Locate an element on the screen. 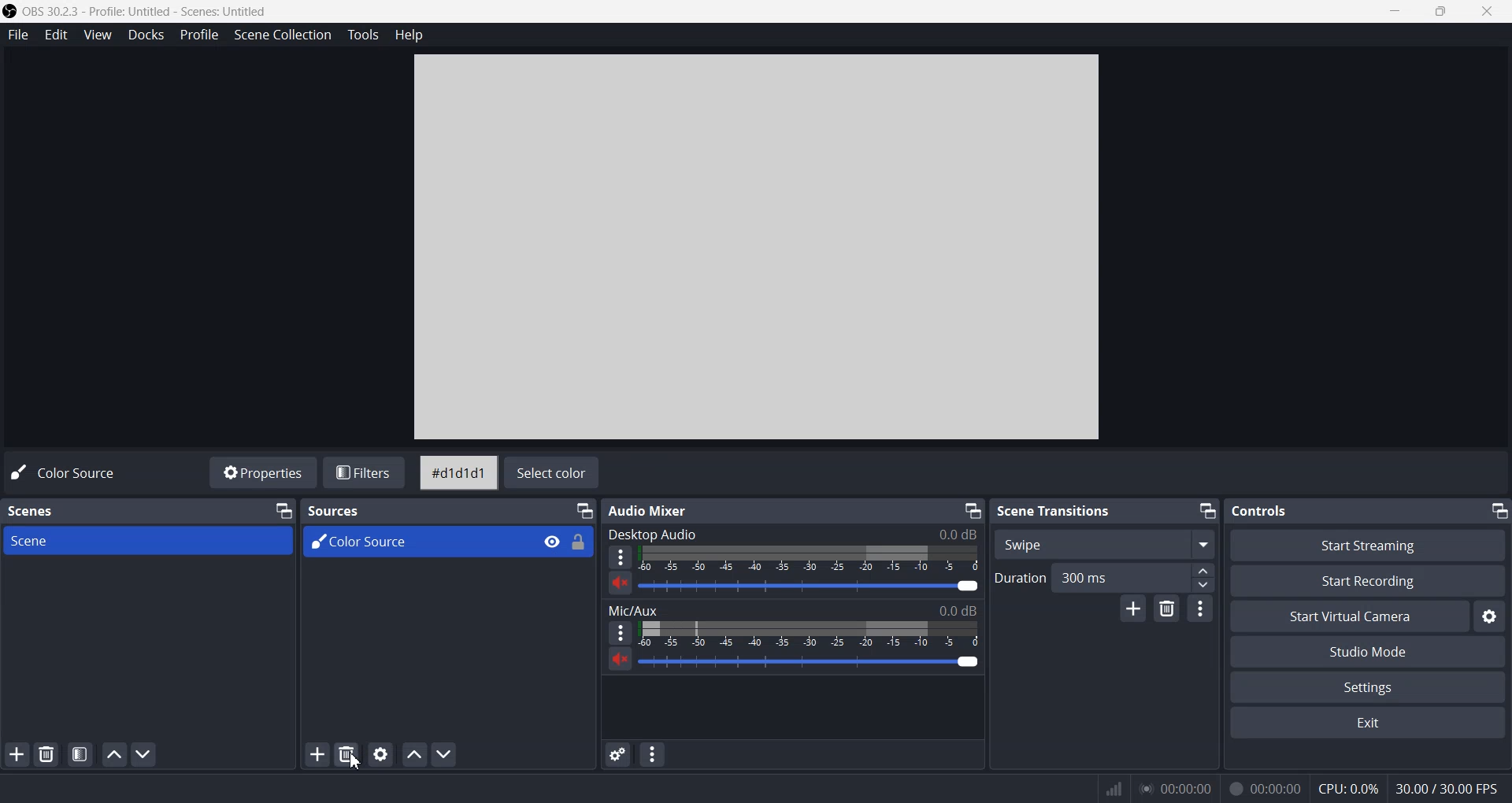  Settings is located at coordinates (1368, 686).